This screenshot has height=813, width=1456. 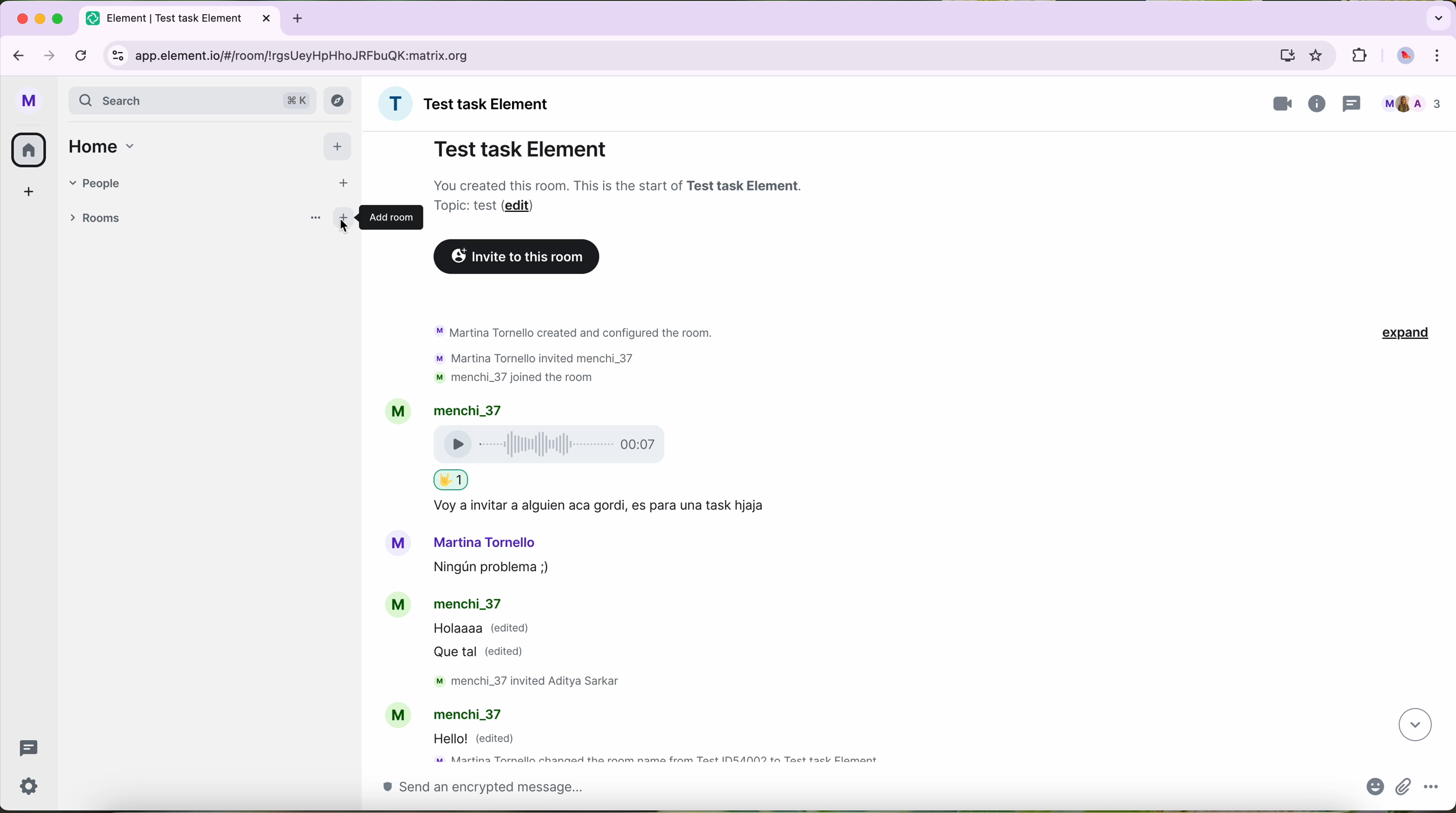 What do you see at coordinates (453, 712) in the screenshot?
I see `account` at bounding box center [453, 712].